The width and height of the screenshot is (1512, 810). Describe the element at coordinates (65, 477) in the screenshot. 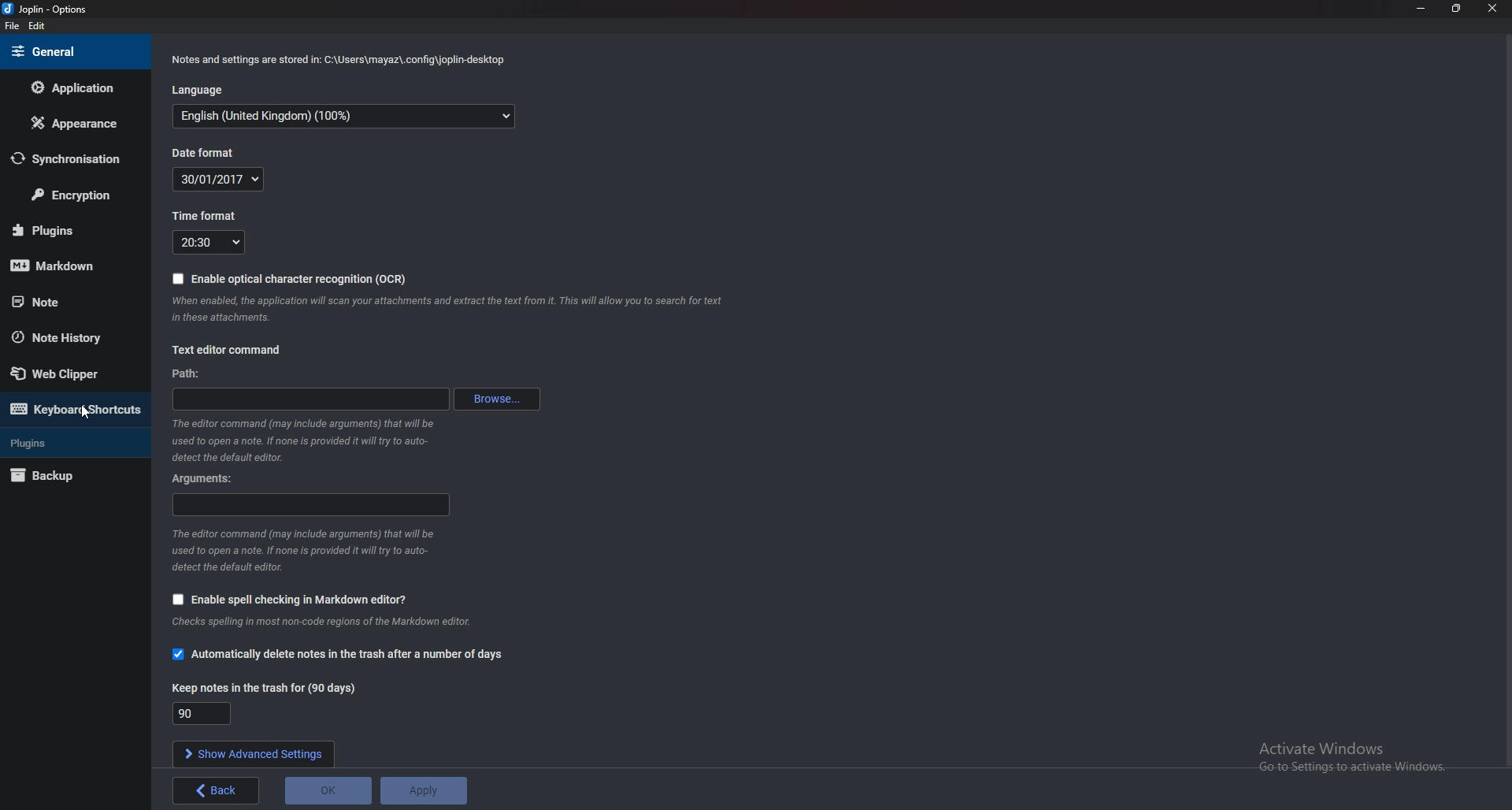

I see `Backup` at that location.